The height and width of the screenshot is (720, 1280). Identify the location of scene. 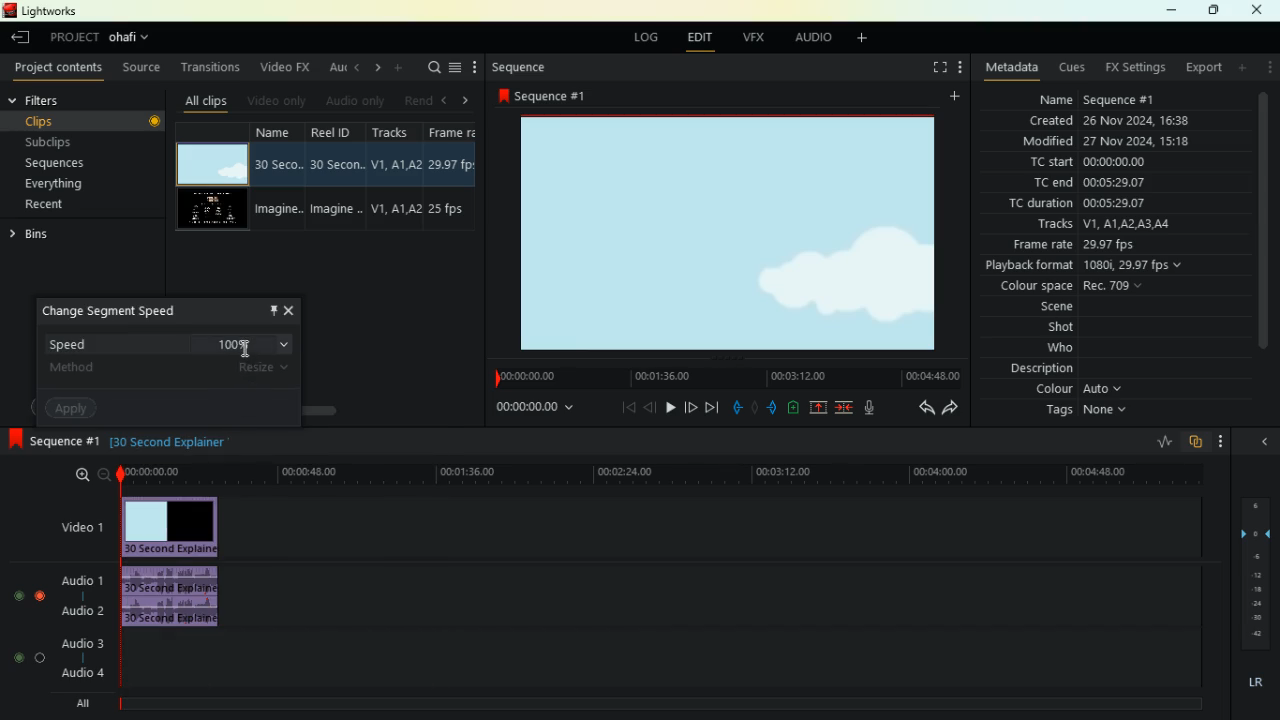
(1035, 309).